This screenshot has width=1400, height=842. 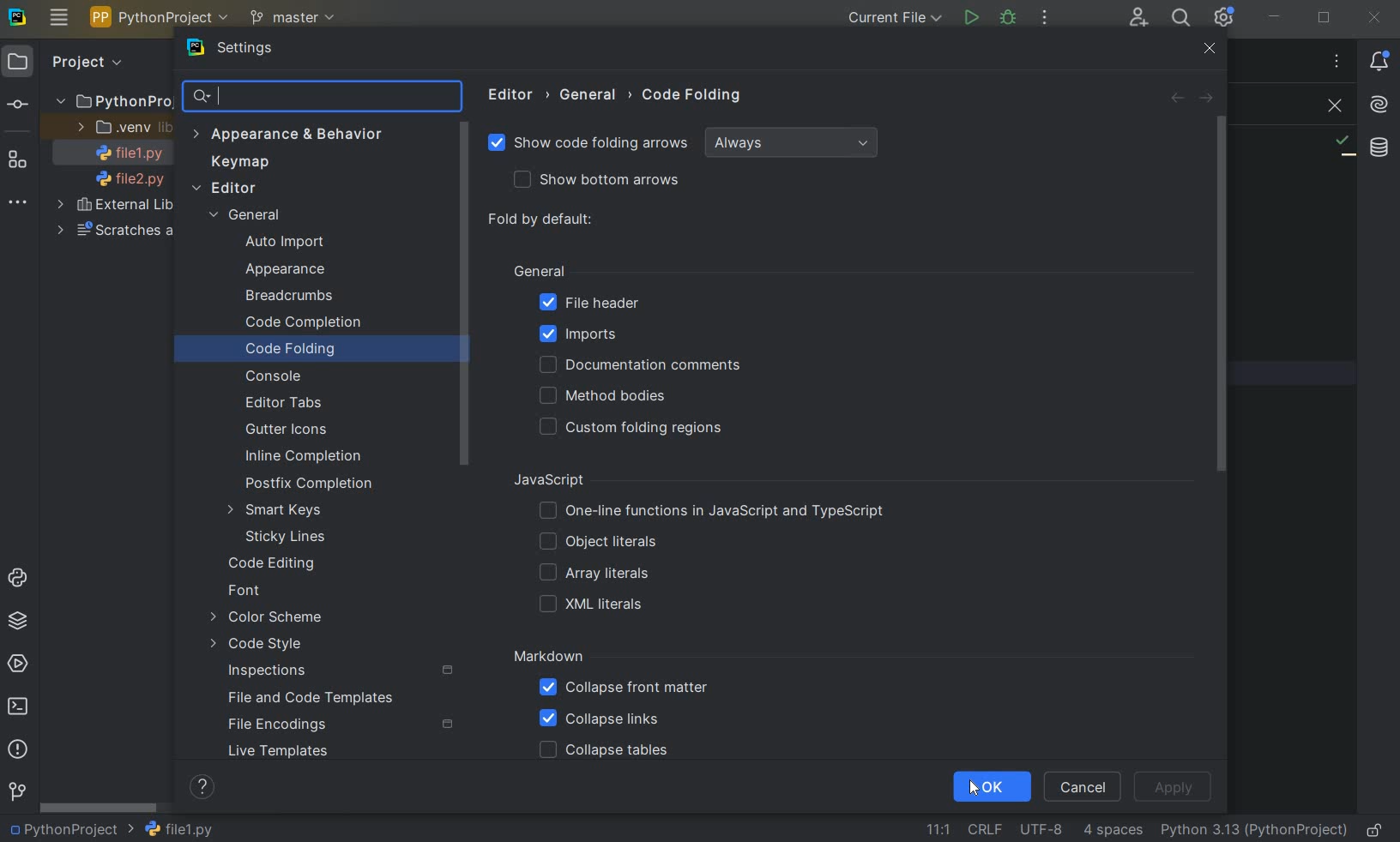 I want to click on HELP, so click(x=204, y=786).